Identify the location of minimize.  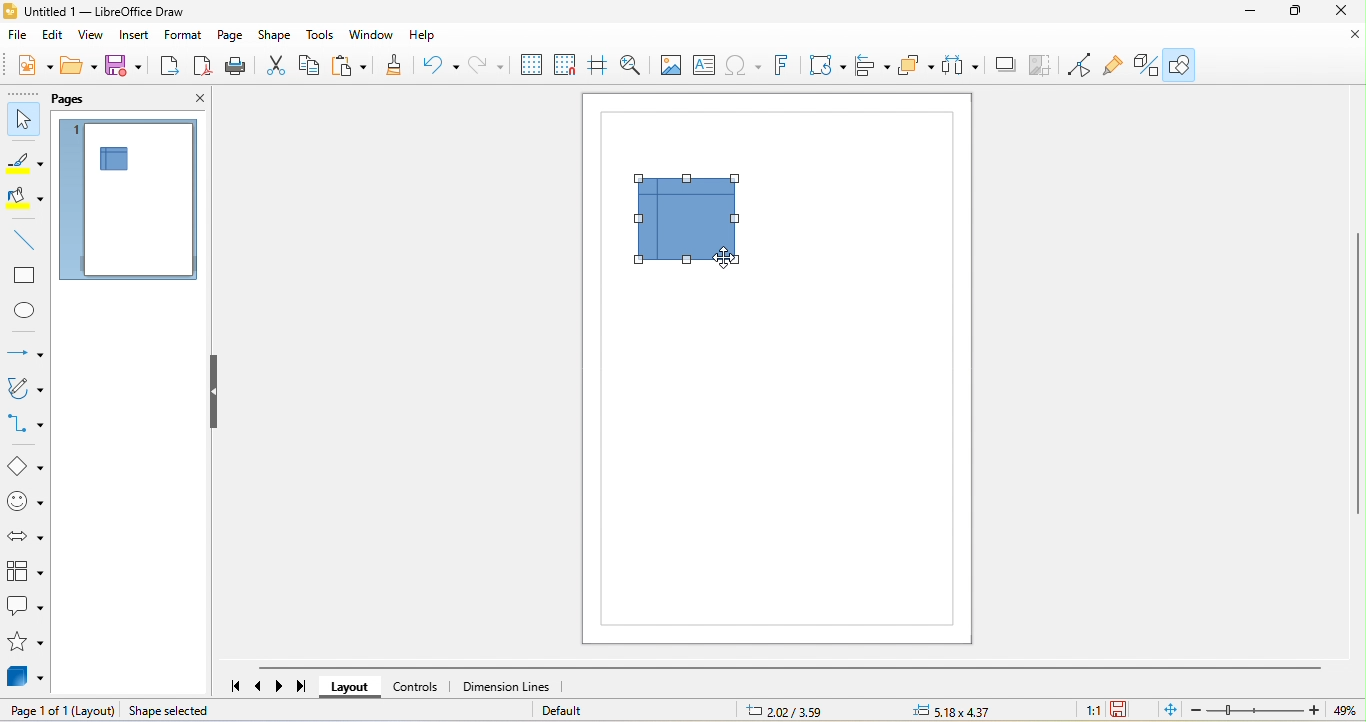
(1245, 14).